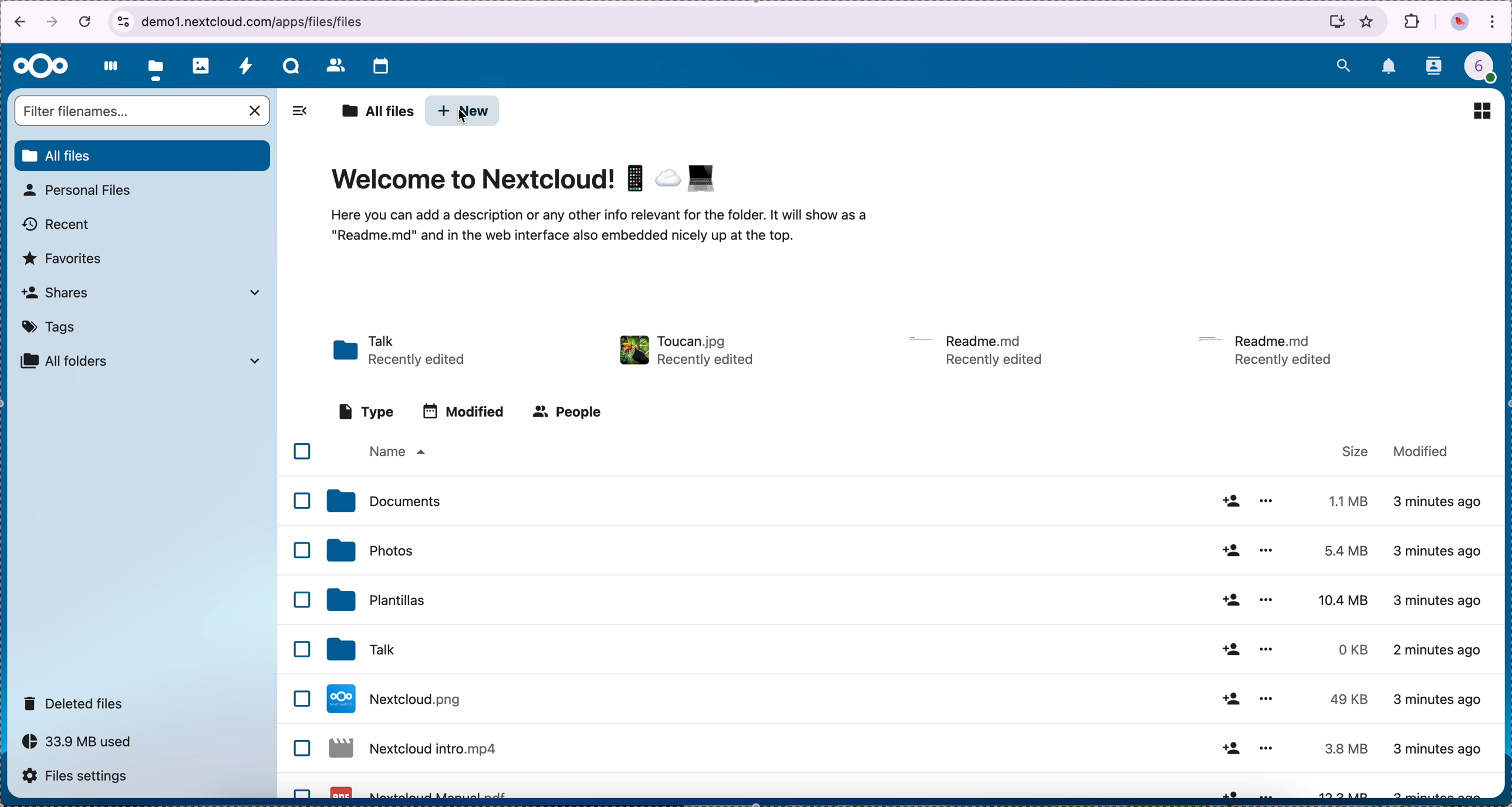 The image size is (1512, 807). I want to click on share, so click(1227, 792).